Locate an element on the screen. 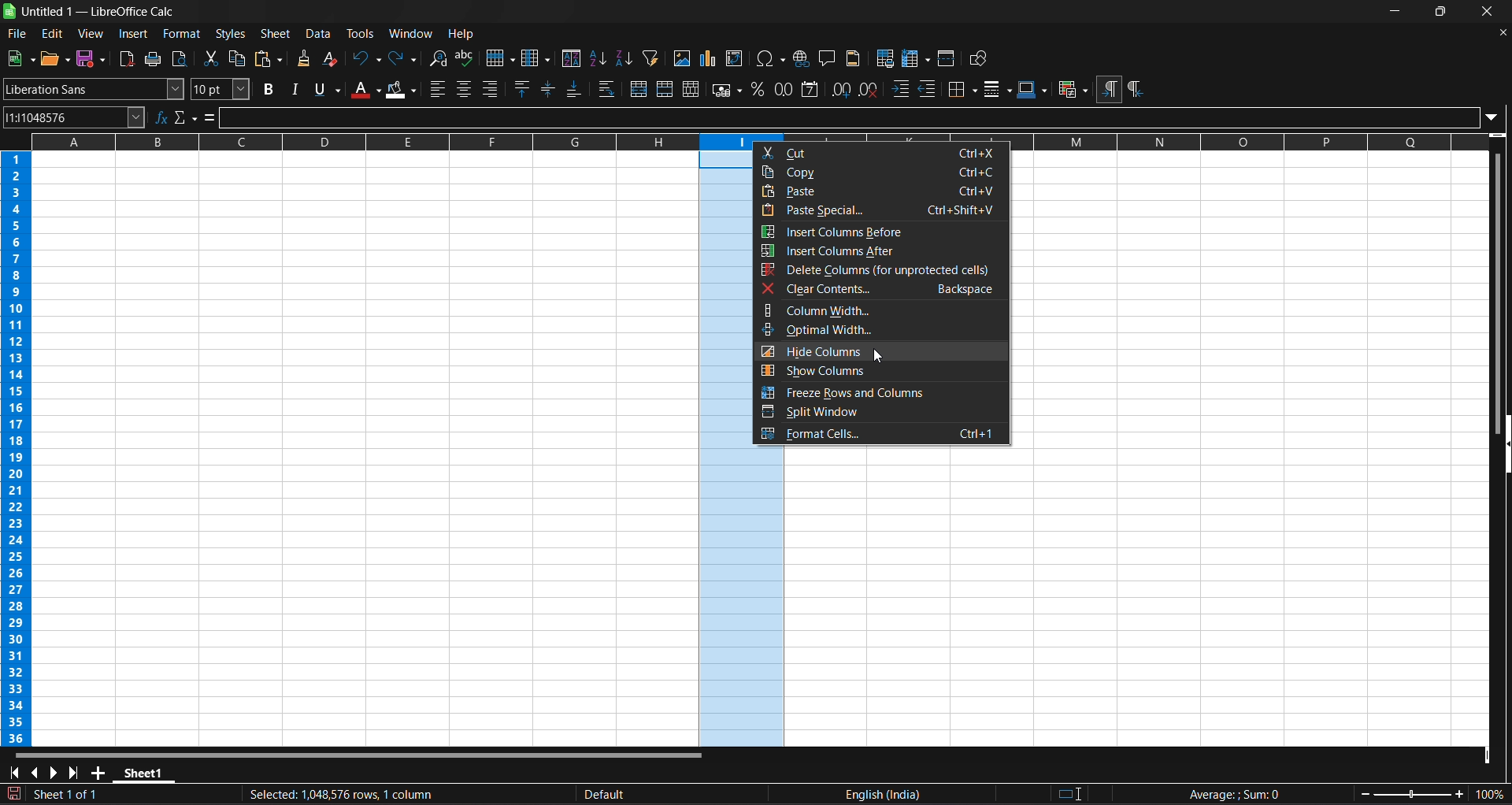  close is located at coordinates (1490, 11).